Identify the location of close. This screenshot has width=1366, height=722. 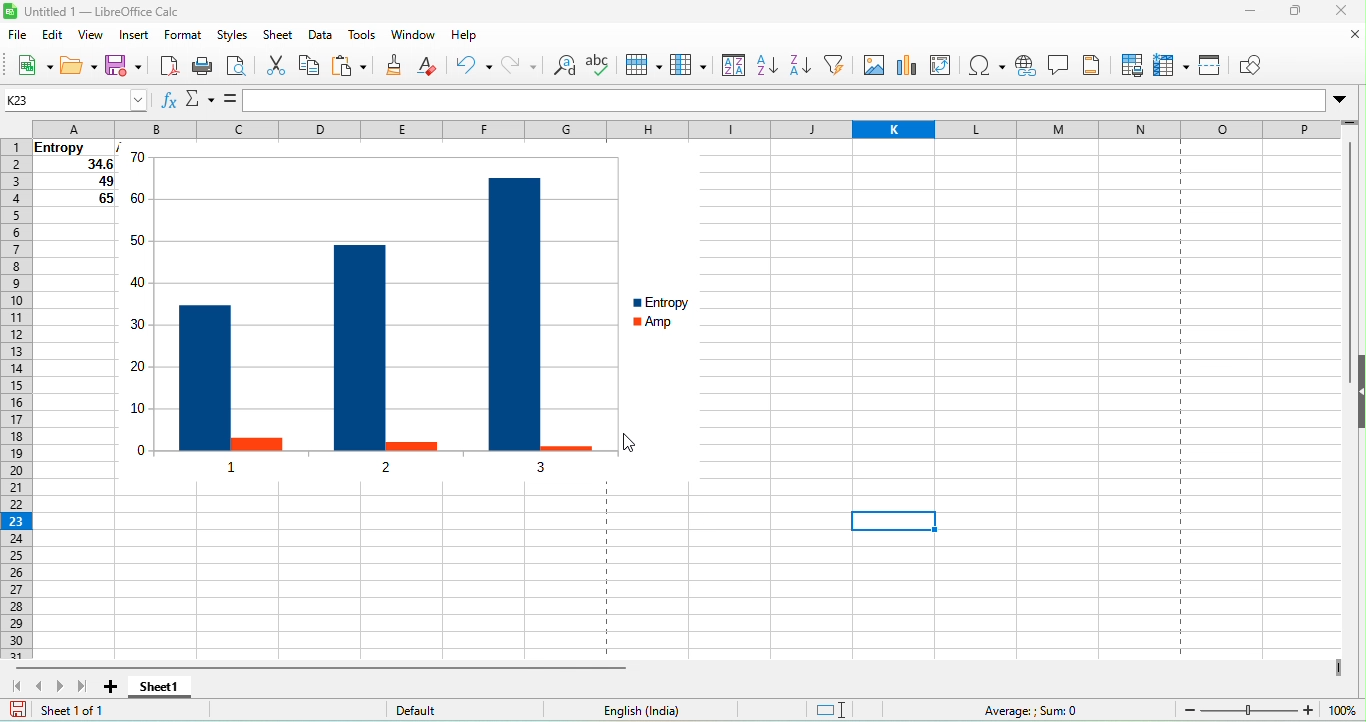
(1346, 12).